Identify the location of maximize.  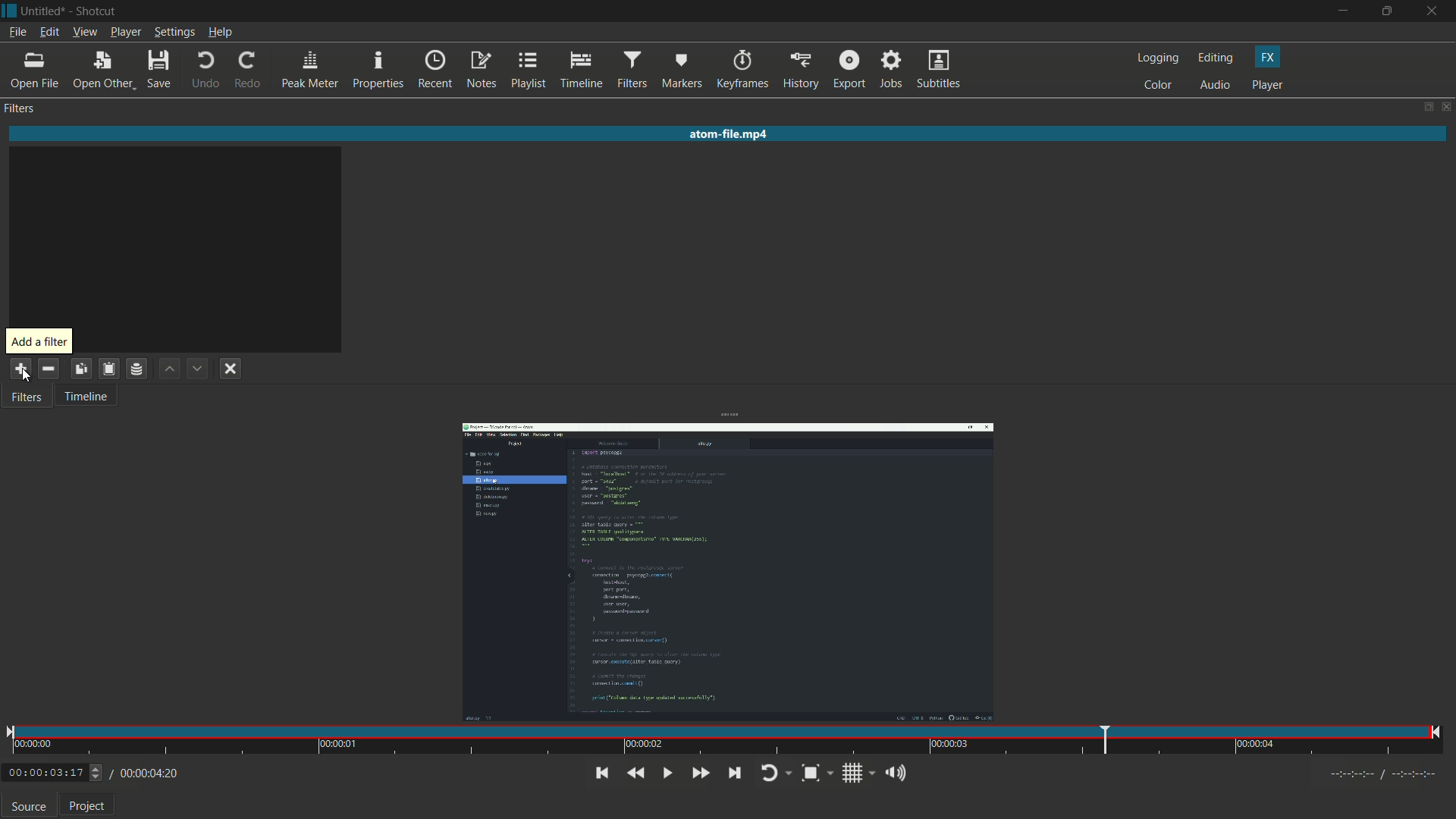
(1389, 11).